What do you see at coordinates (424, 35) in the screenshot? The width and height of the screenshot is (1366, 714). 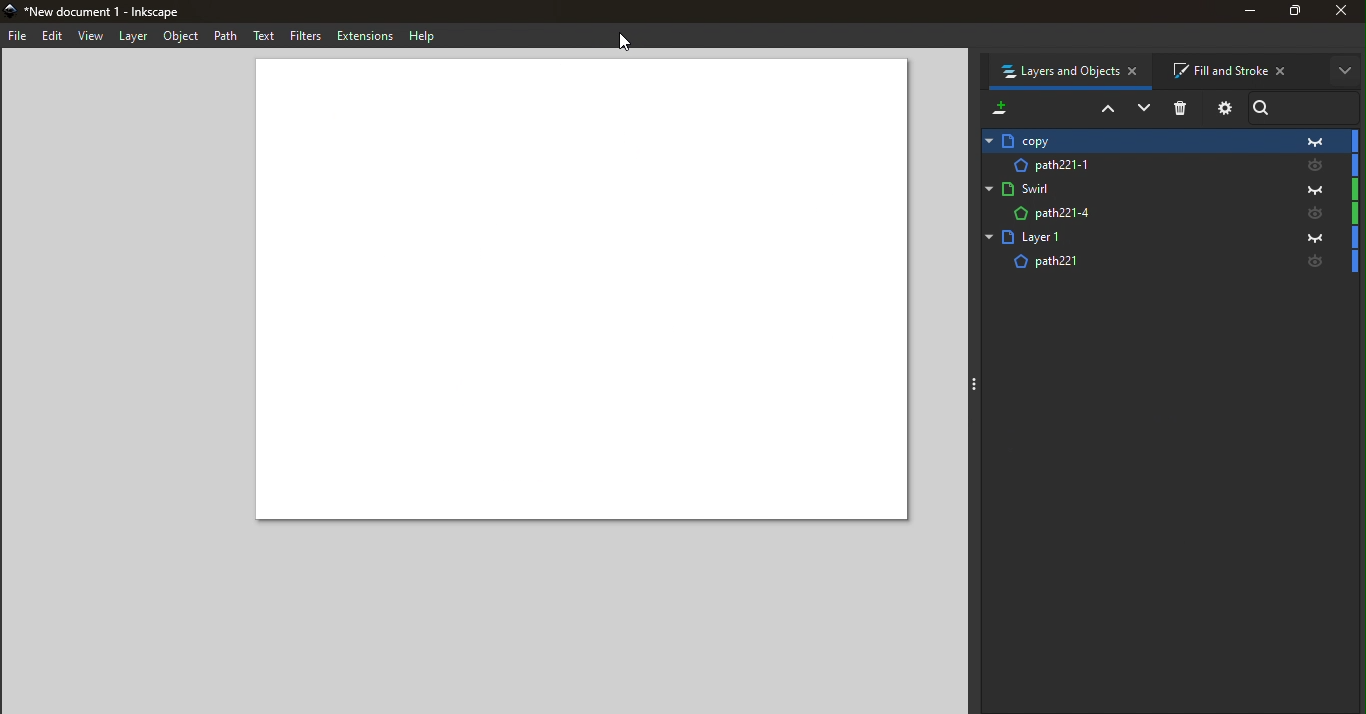 I see `Help` at bounding box center [424, 35].